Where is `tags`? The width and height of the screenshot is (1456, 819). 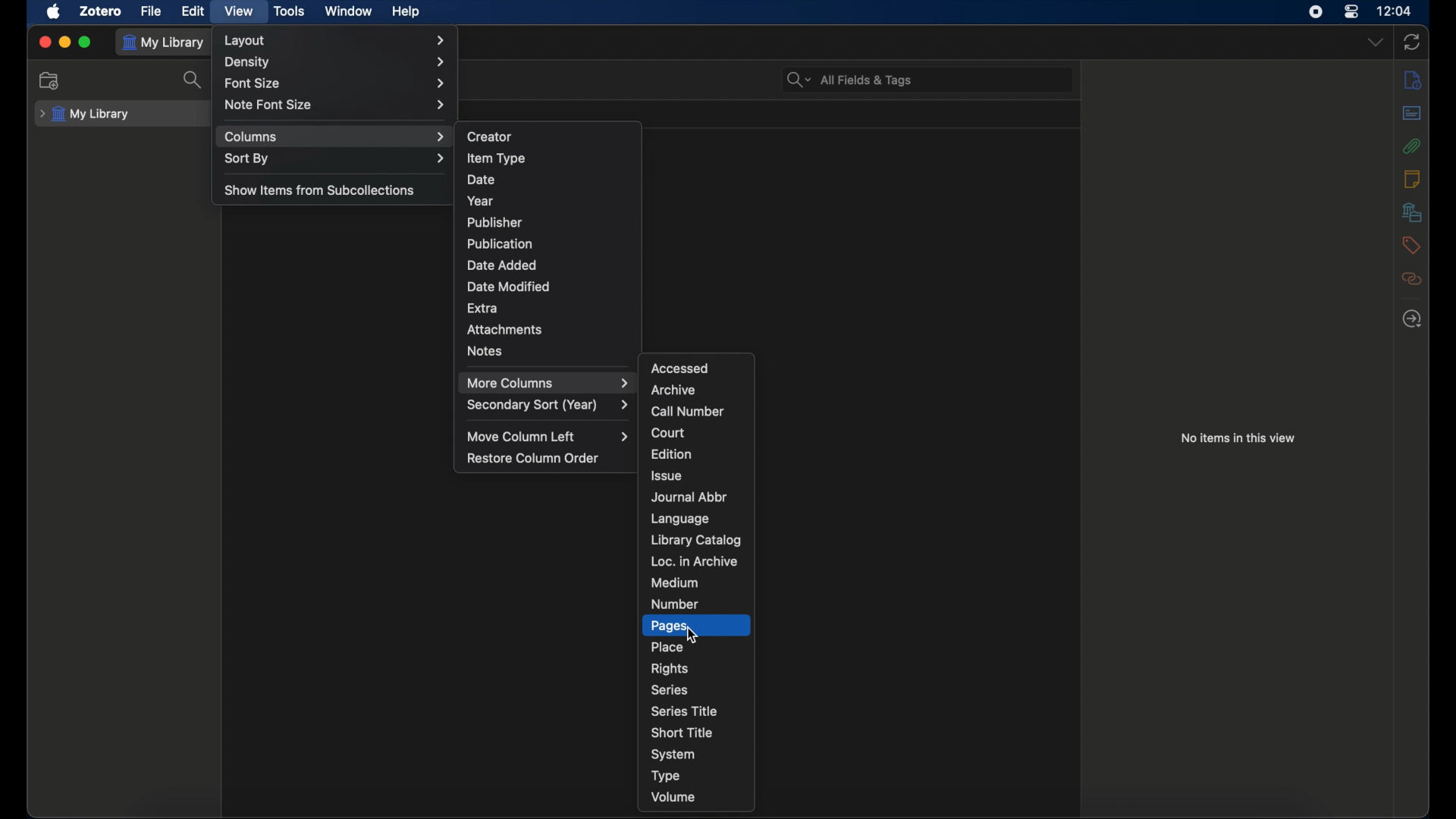 tags is located at coordinates (1410, 244).